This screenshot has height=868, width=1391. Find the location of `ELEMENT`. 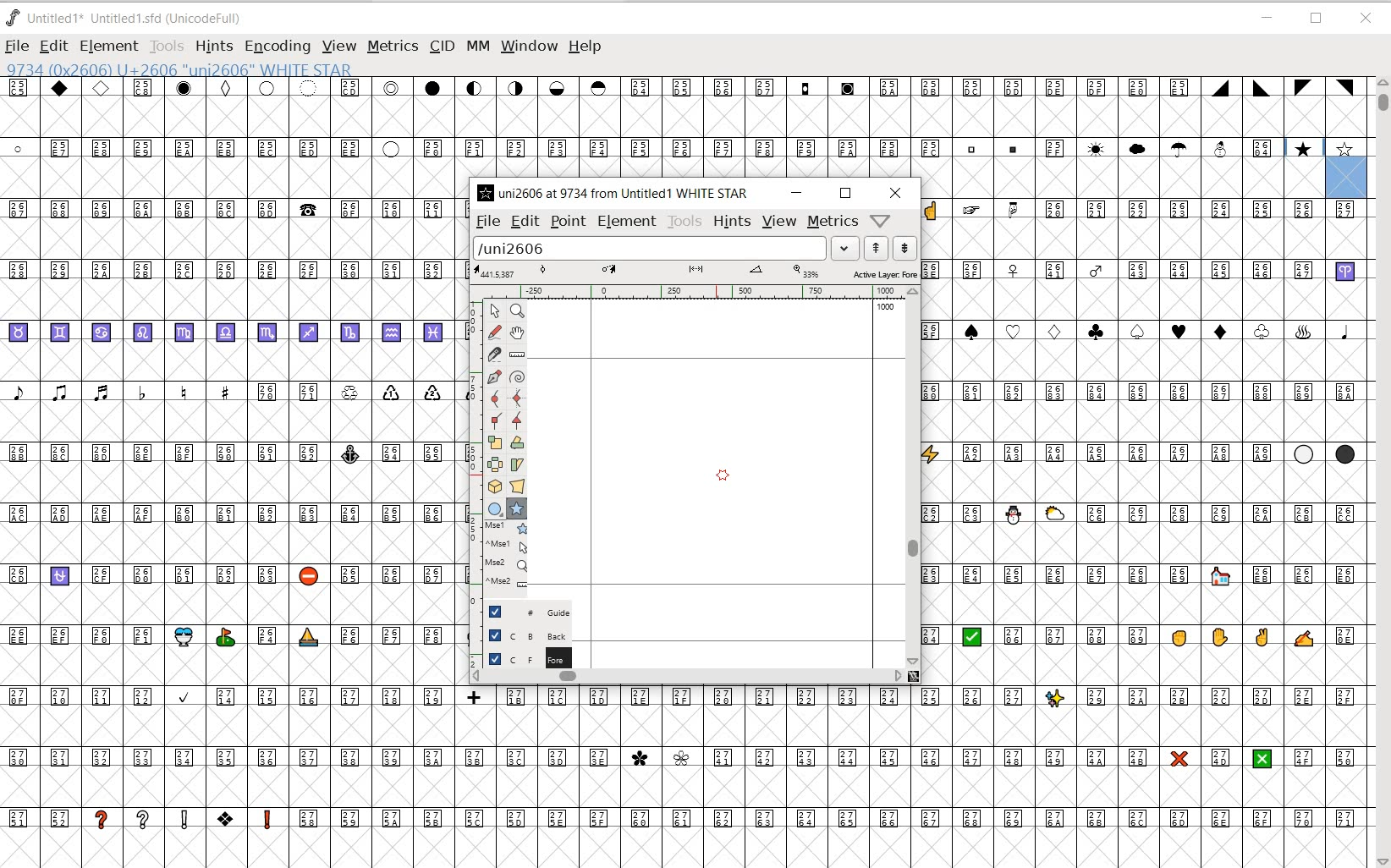

ELEMENT is located at coordinates (109, 46).